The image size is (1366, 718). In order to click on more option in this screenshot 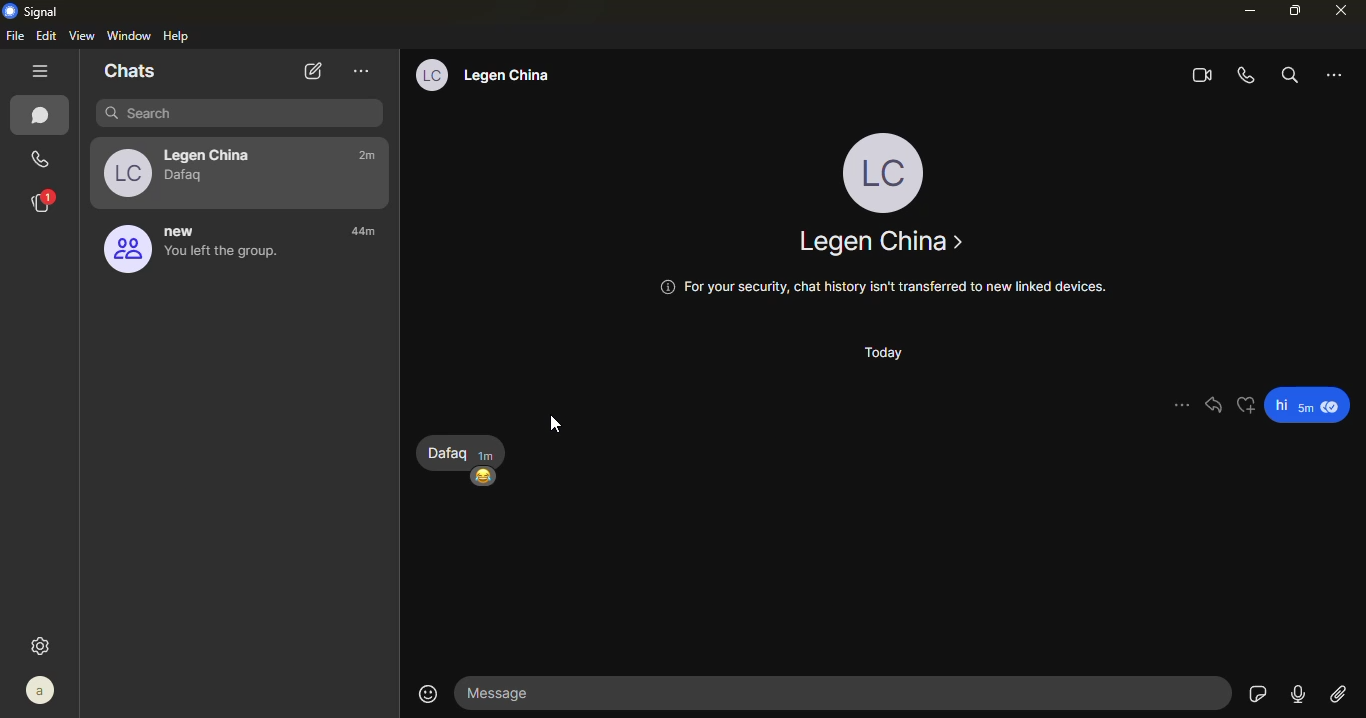, I will do `click(1337, 74)`.